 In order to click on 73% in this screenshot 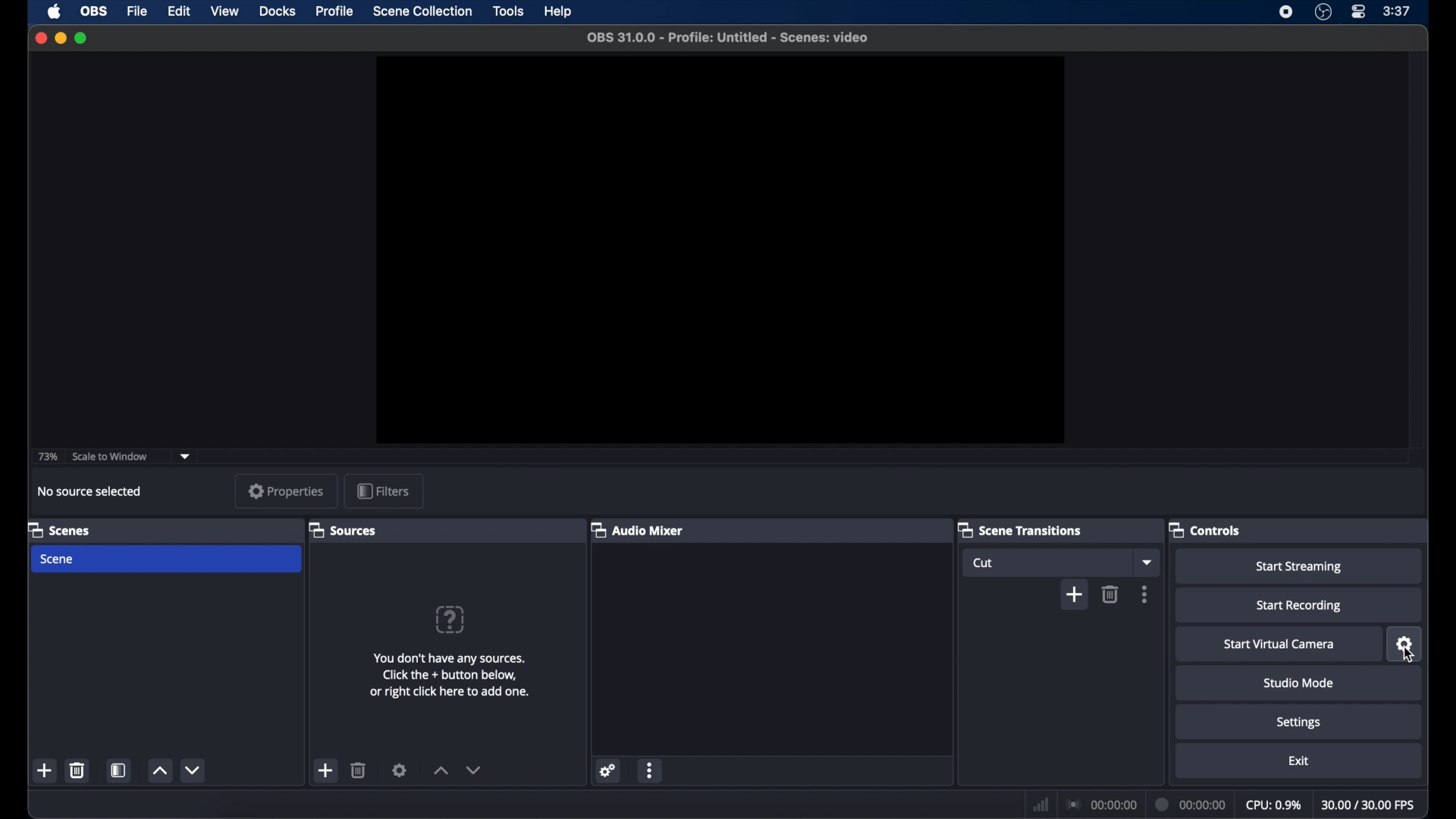, I will do `click(46, 457)`.